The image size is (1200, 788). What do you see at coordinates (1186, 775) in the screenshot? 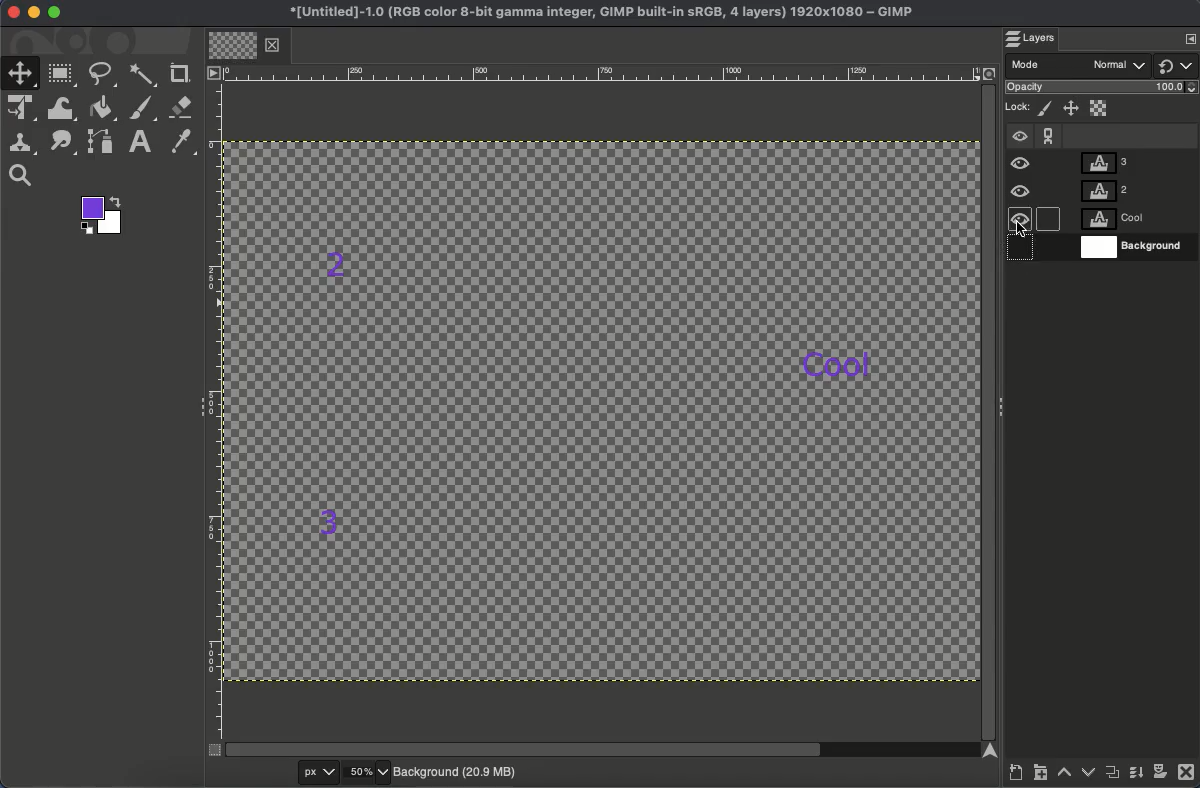
I see `Close` at bounding box center [1186, 775].